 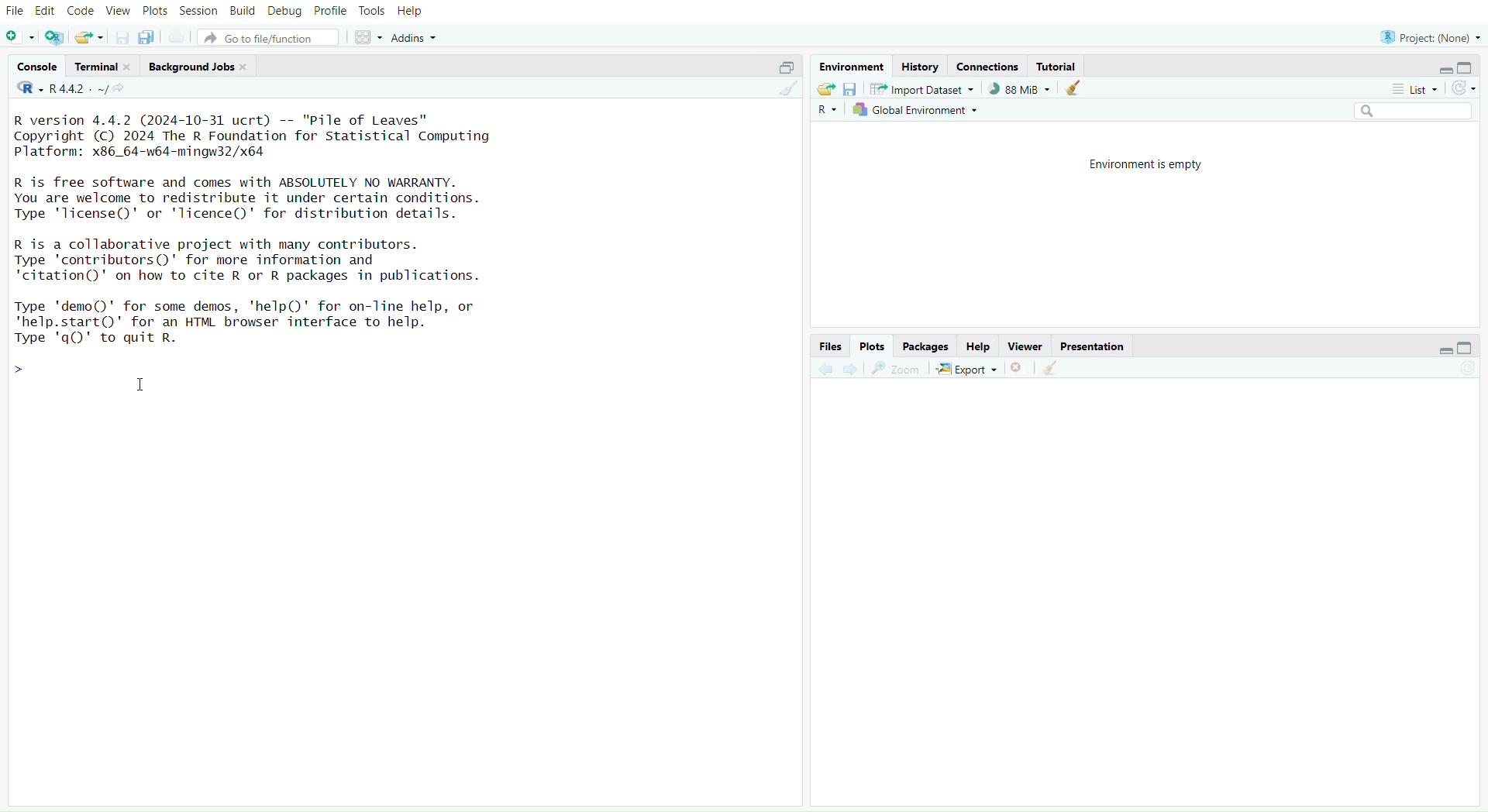 I want to click on addins, so click(x=418, y=38).